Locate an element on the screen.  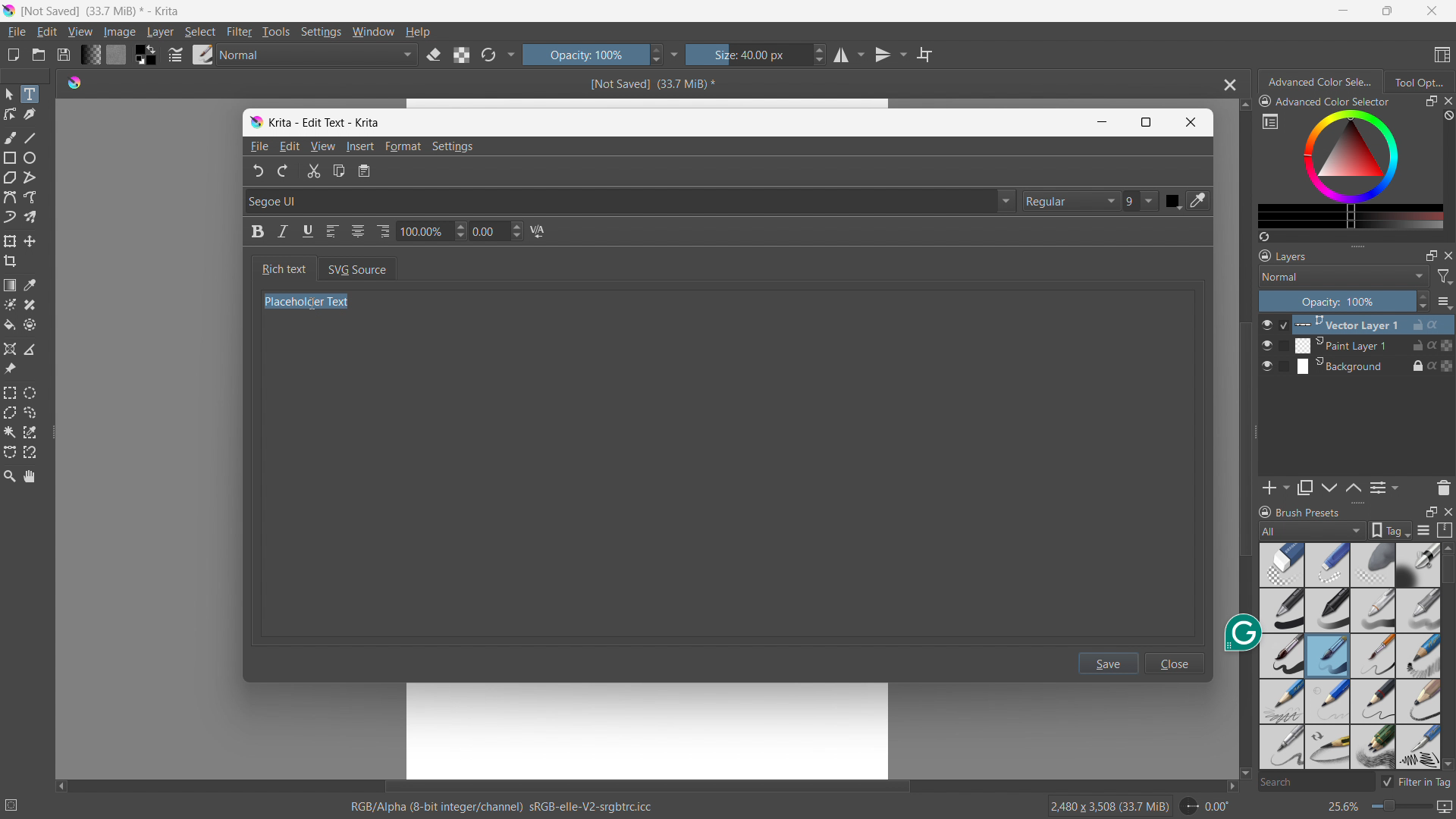
freehand path tool is located at coordinates (30, 197).